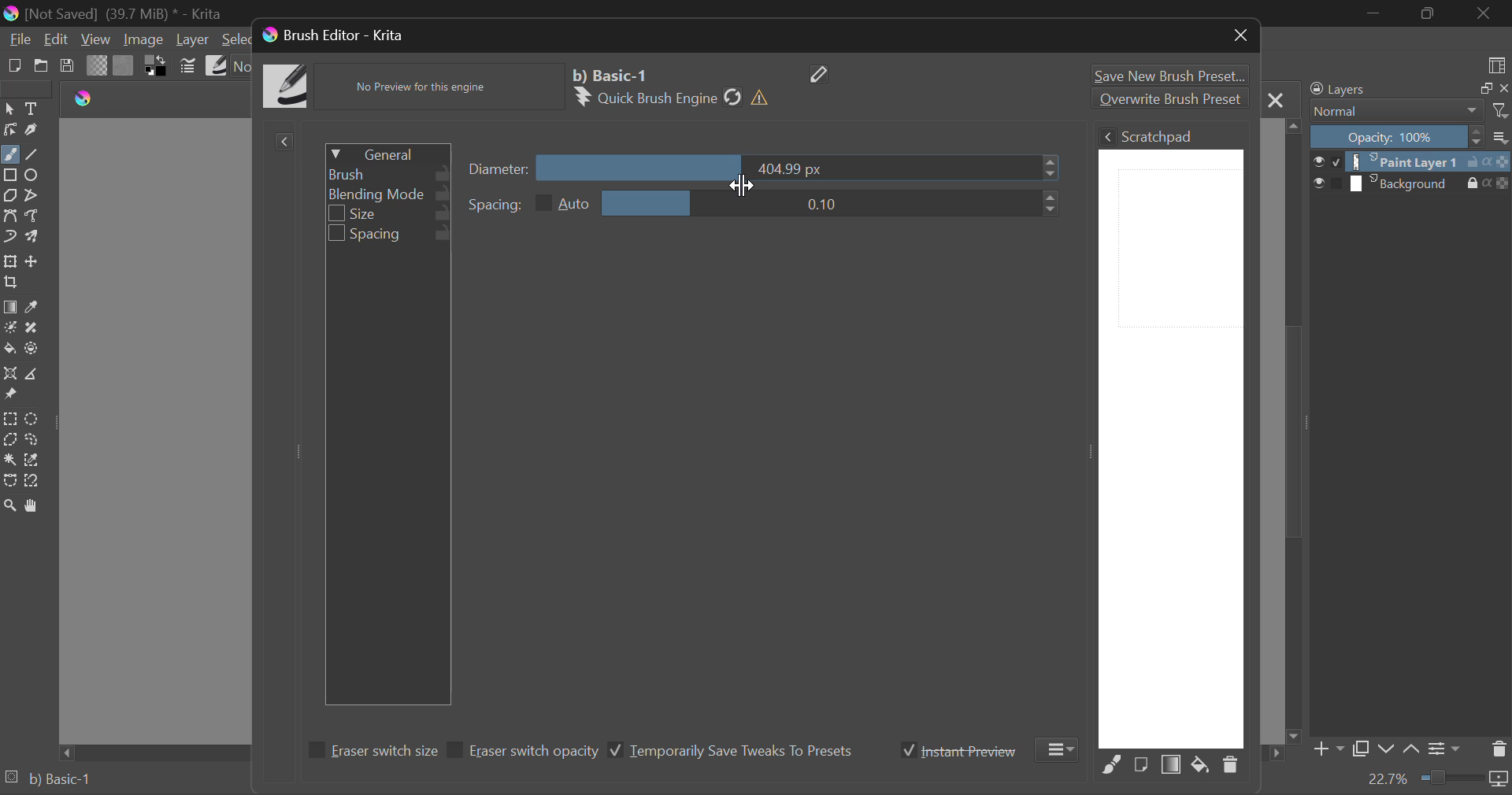  What do you see at coordinates (233, 42) in the screenshot?
I see `Select` at bounding box center [233, 42].